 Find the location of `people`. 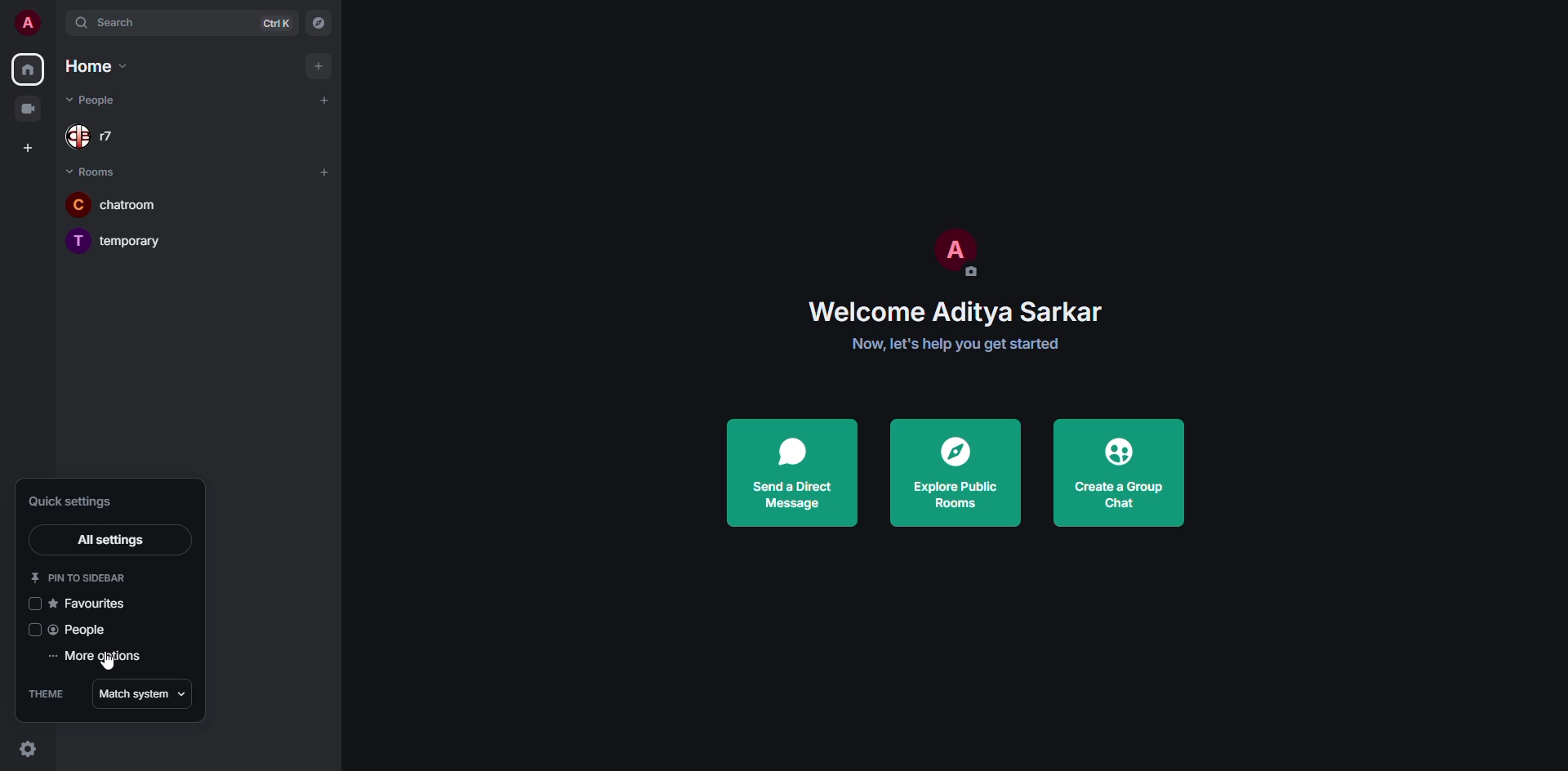

people is located at coordinates (81, 631).